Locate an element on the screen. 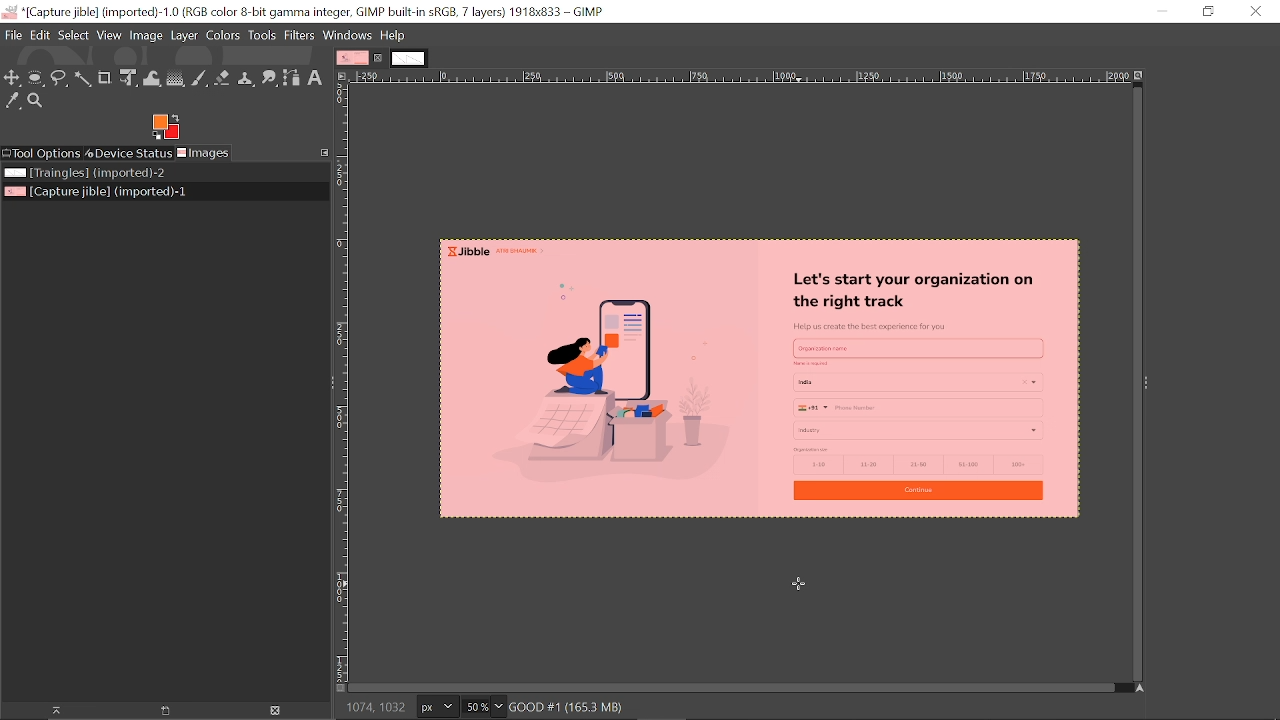 The image size is (1280, 720). Tools is located at coordinates (261, 35).